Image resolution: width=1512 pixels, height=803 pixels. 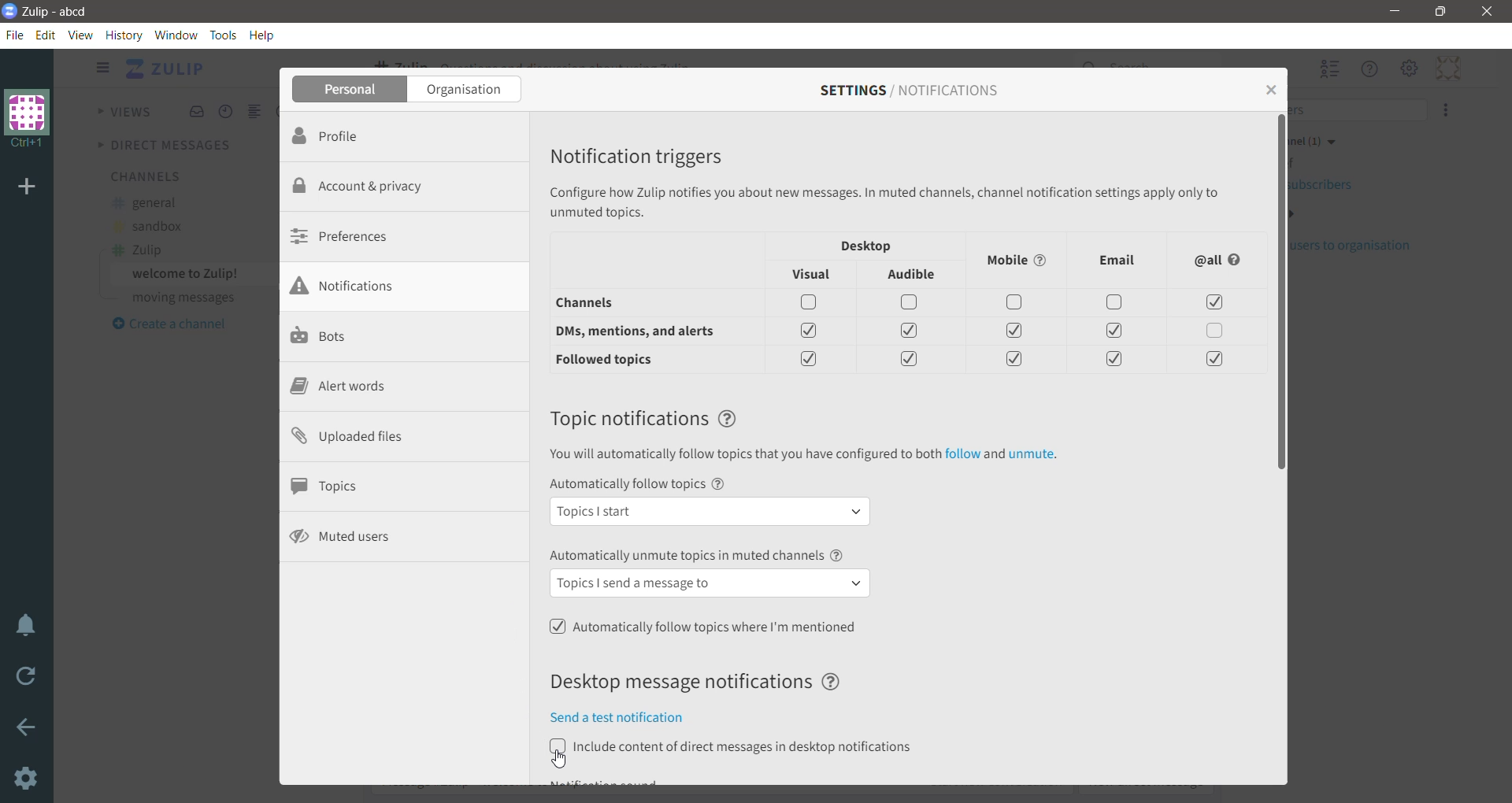 I want to click on Tools, so click(x=225, y=35).